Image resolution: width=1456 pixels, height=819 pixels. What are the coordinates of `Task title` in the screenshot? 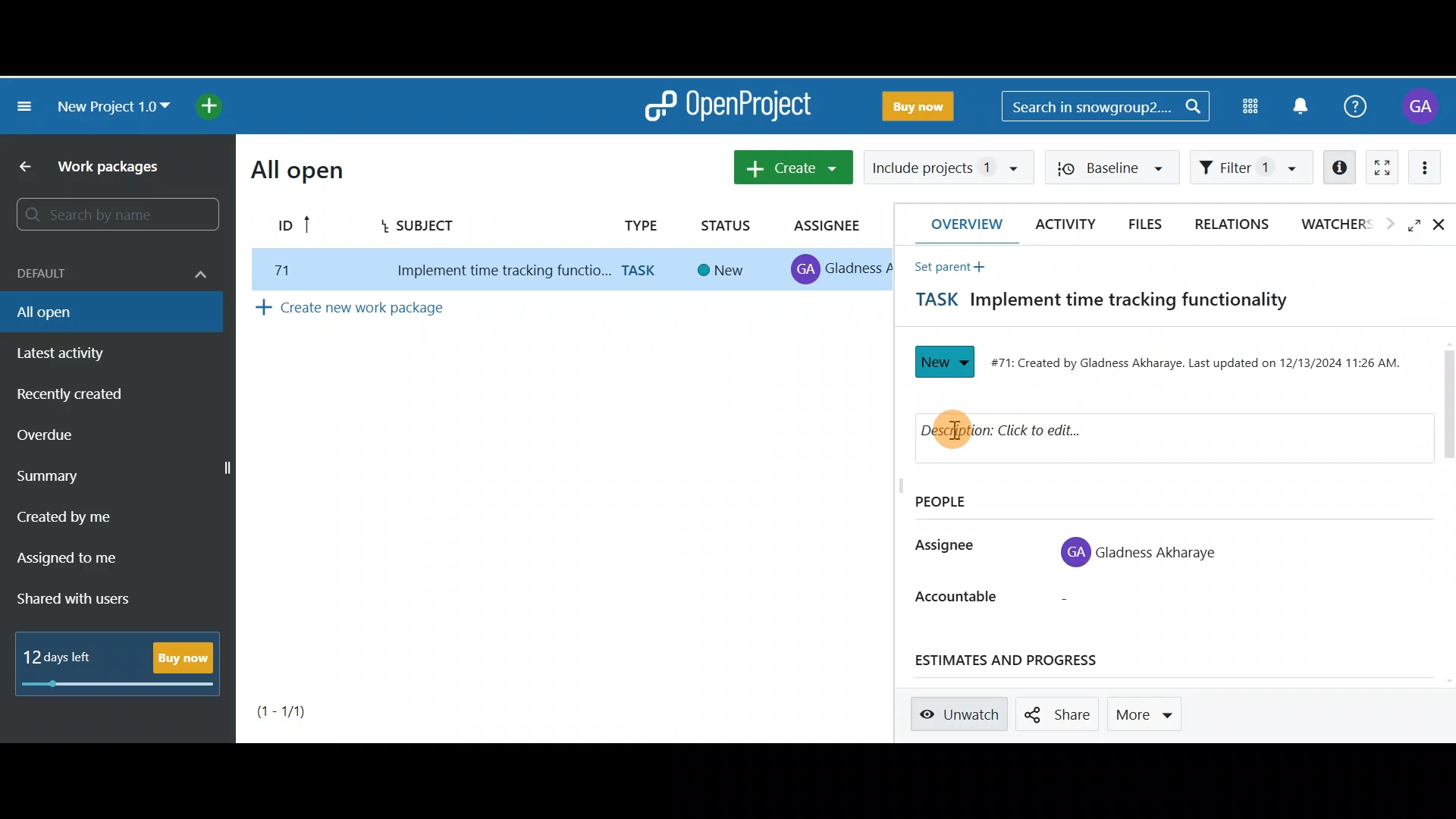 It's located at (1091, 303).